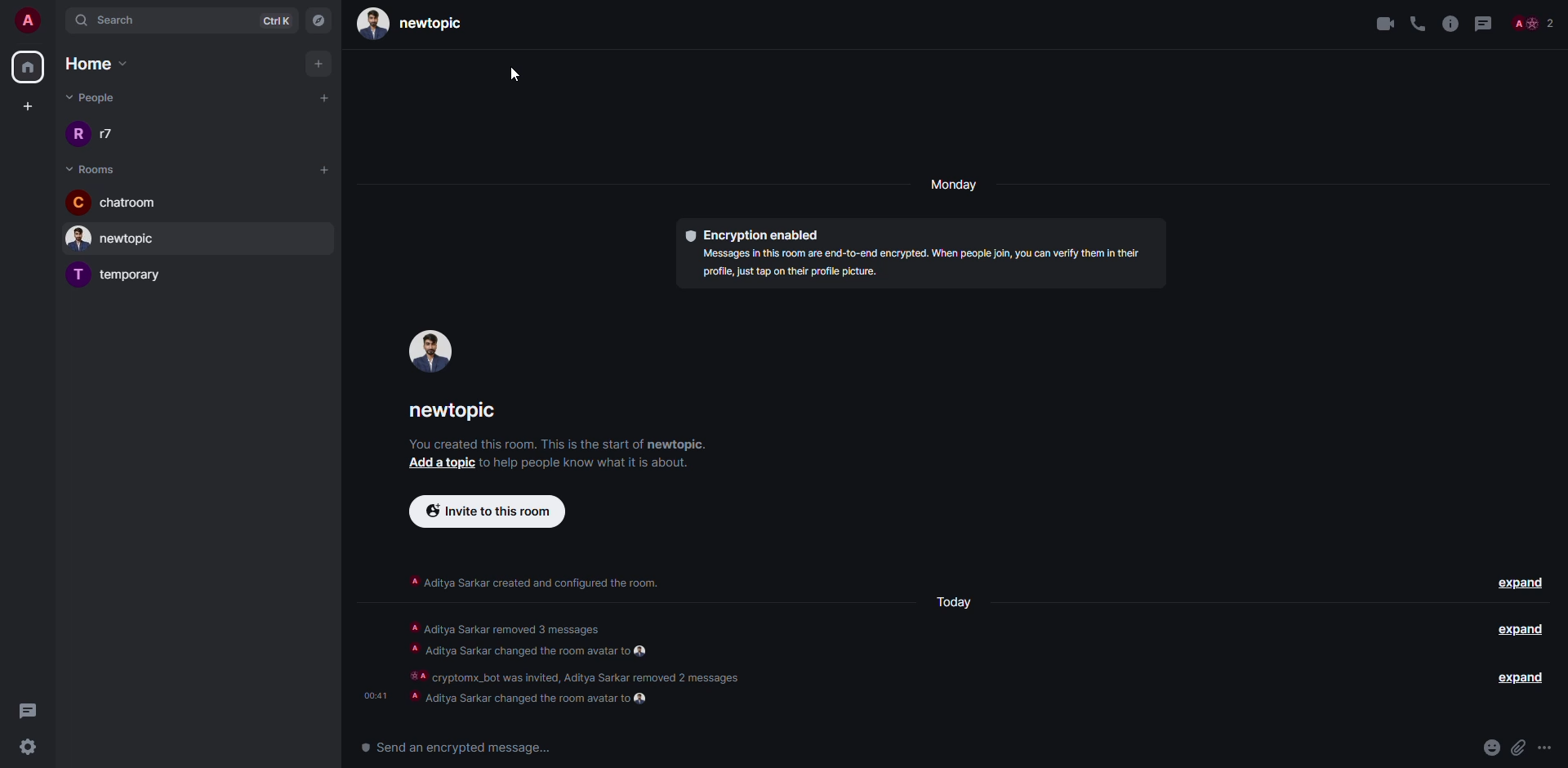  Describe the element at coordinates (1519, 582) in the screenshot. I see `expand` at that location.